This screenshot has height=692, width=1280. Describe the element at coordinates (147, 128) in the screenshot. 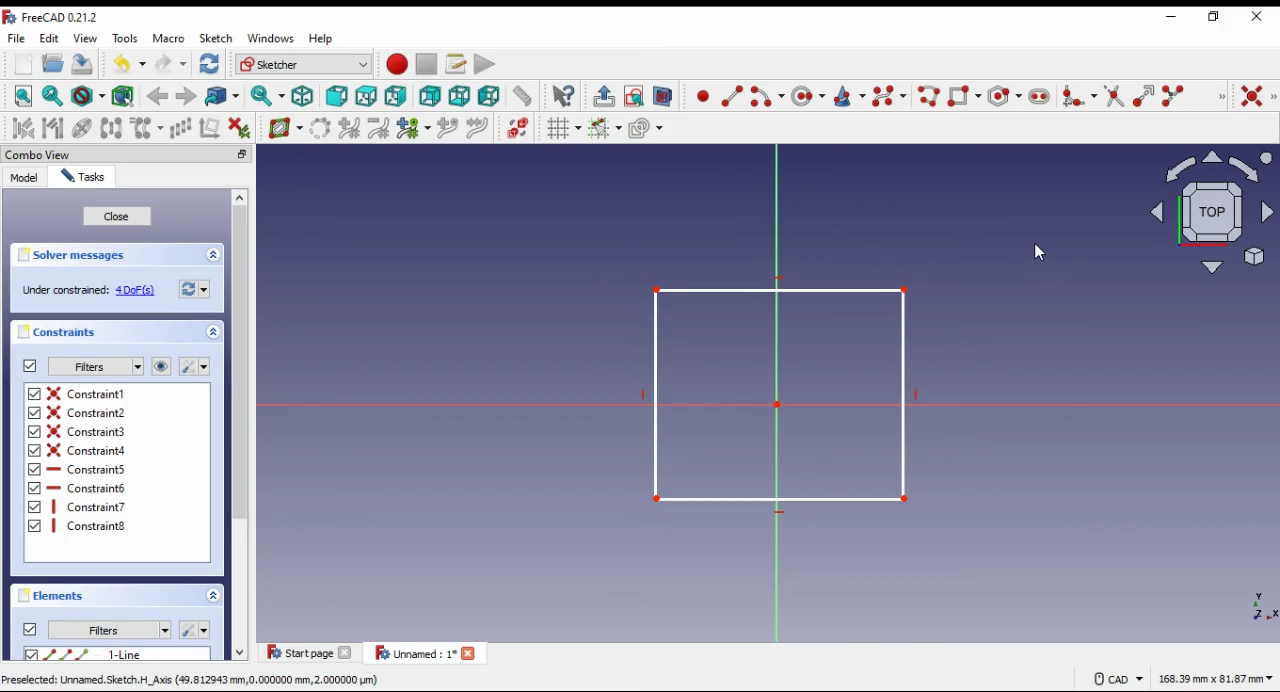

I see `clone` at that location.